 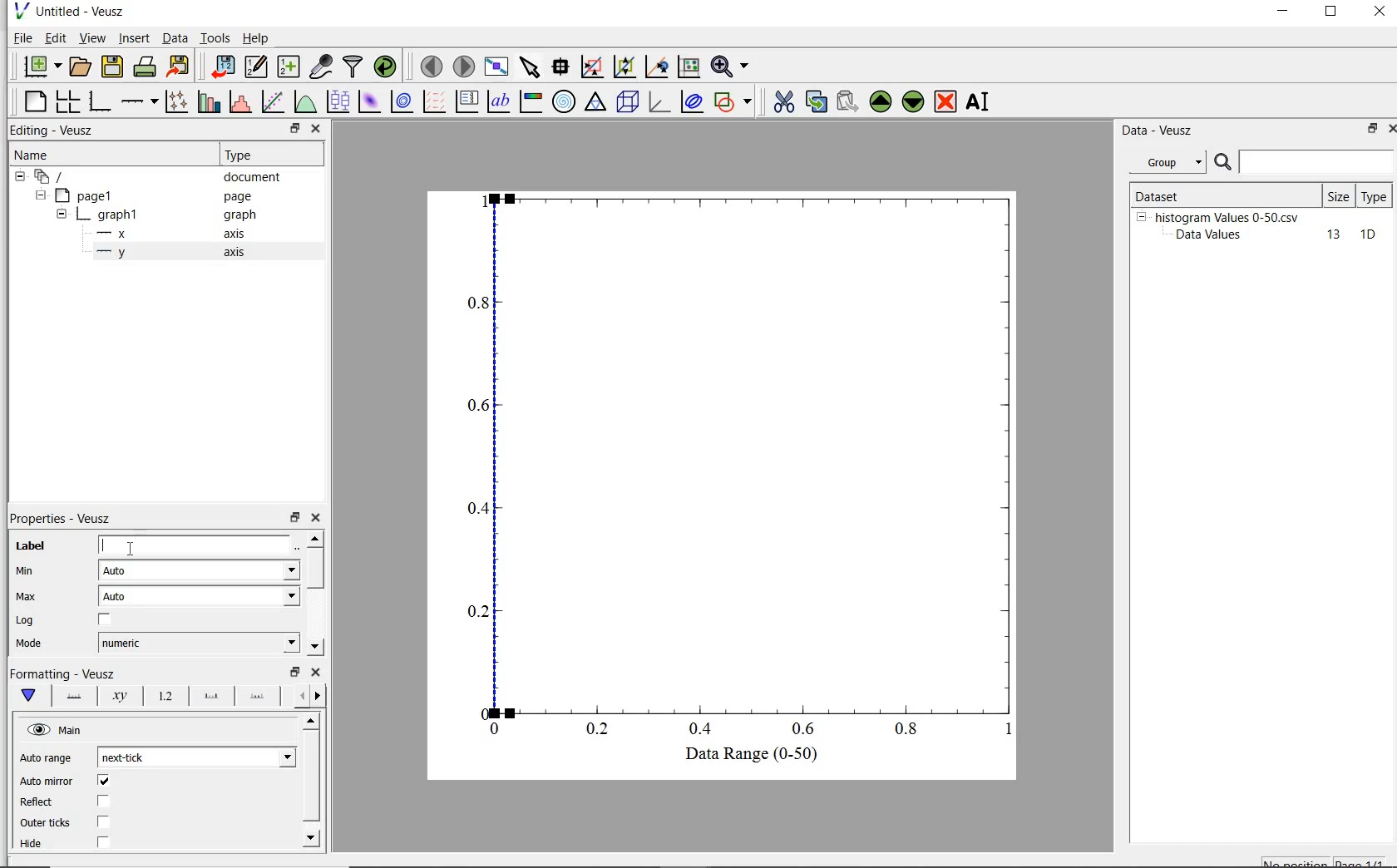 What do you see at coordinates (196, 757) in the screenshot?
I see `next tick` at bounding box center [196, 757].